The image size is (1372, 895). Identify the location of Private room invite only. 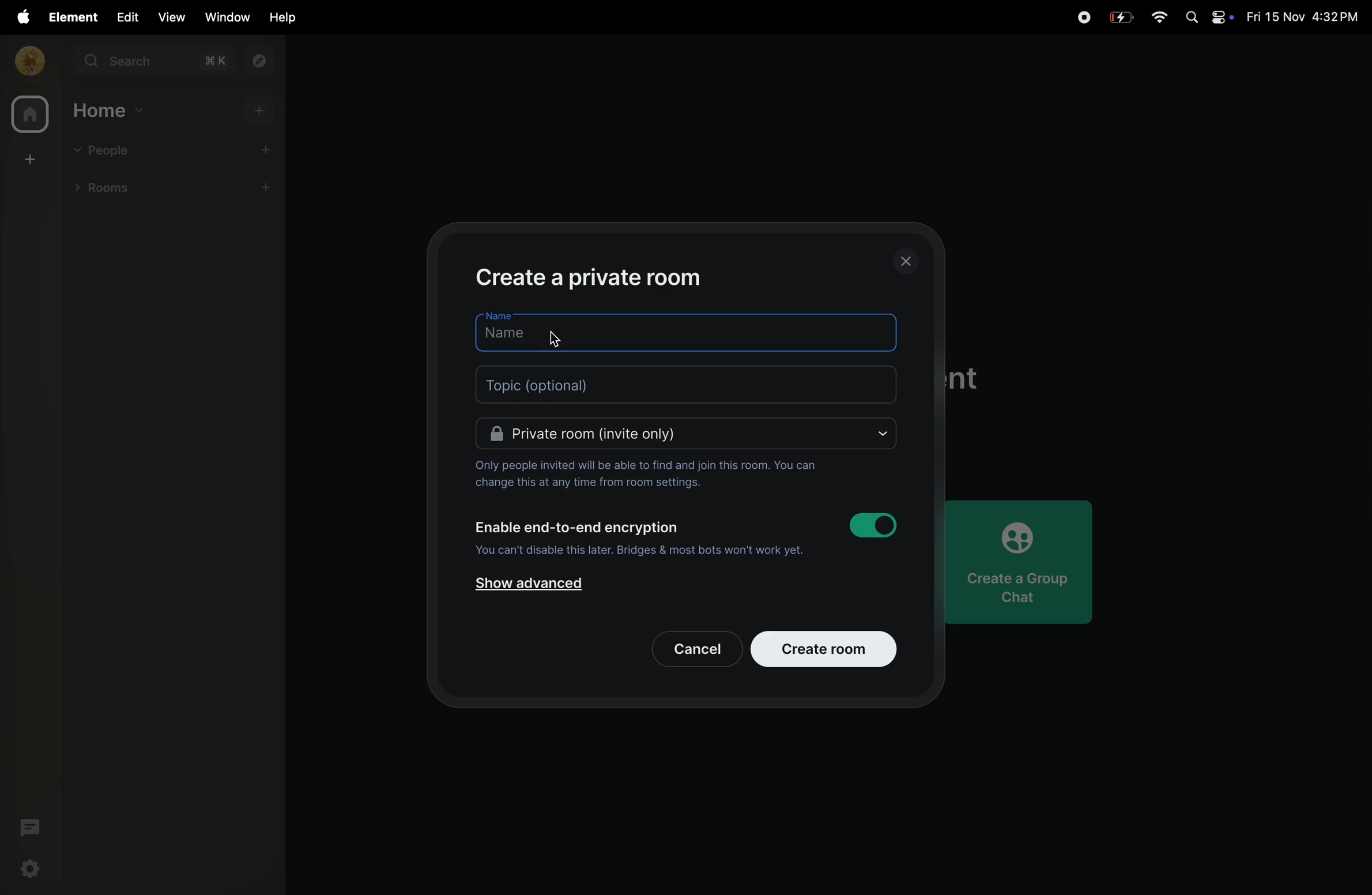
(687, 435).